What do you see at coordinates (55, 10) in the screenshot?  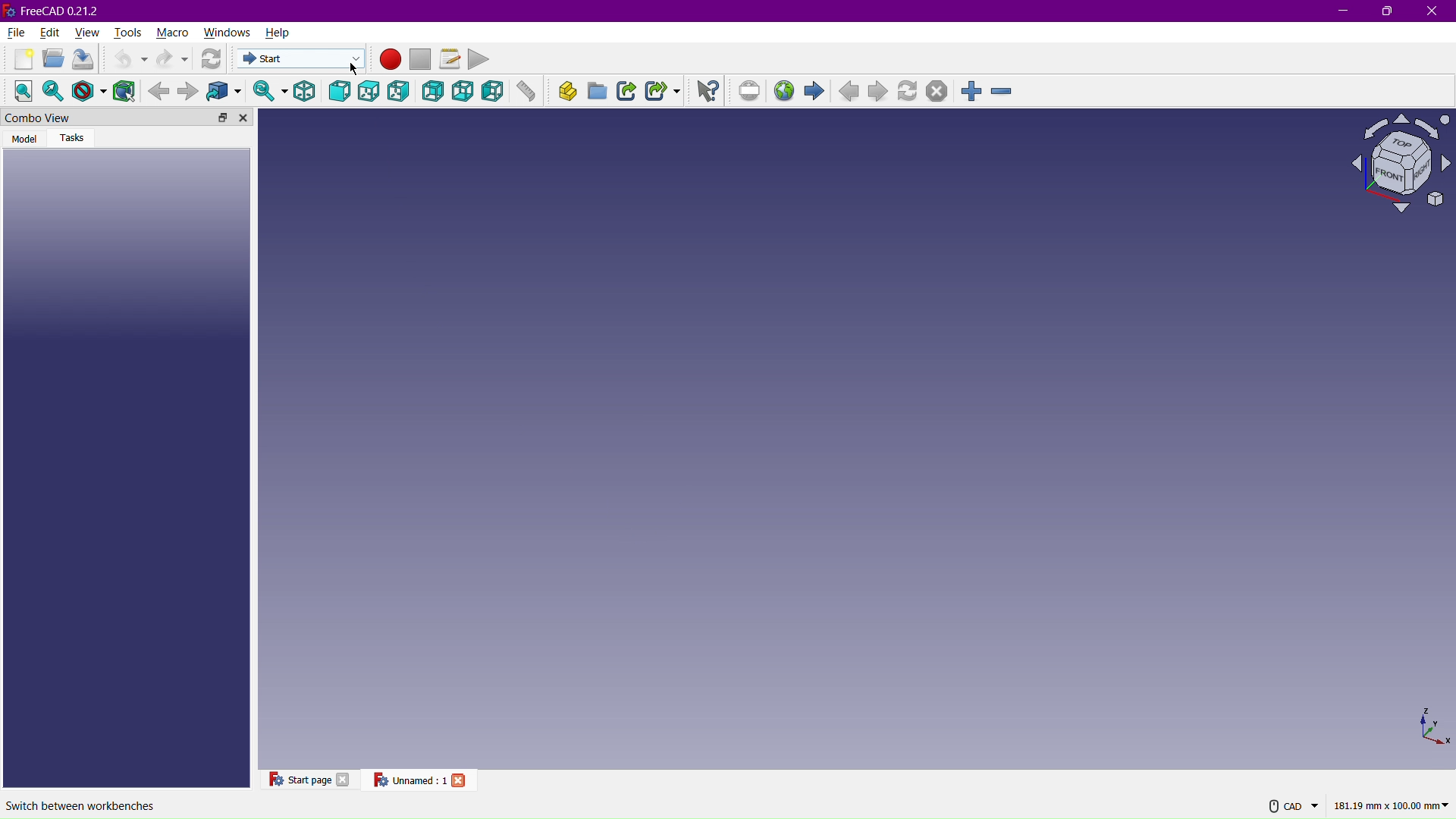 I see `FreeCAD 0.21.2` at bounding box center [55, 10].